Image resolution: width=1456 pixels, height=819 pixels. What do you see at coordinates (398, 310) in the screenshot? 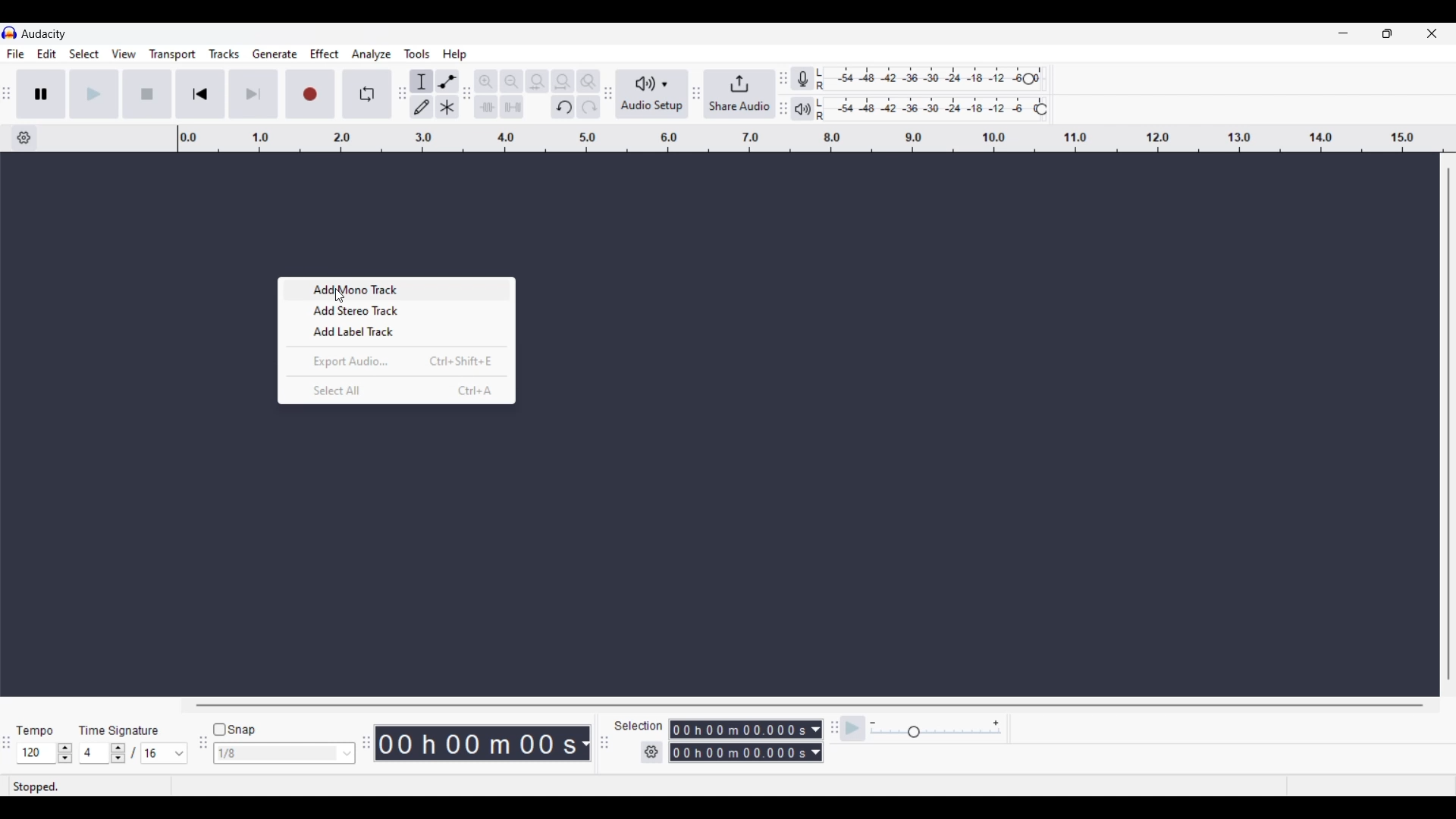
I see `Add stereo track` at bounding box center [398, 310].